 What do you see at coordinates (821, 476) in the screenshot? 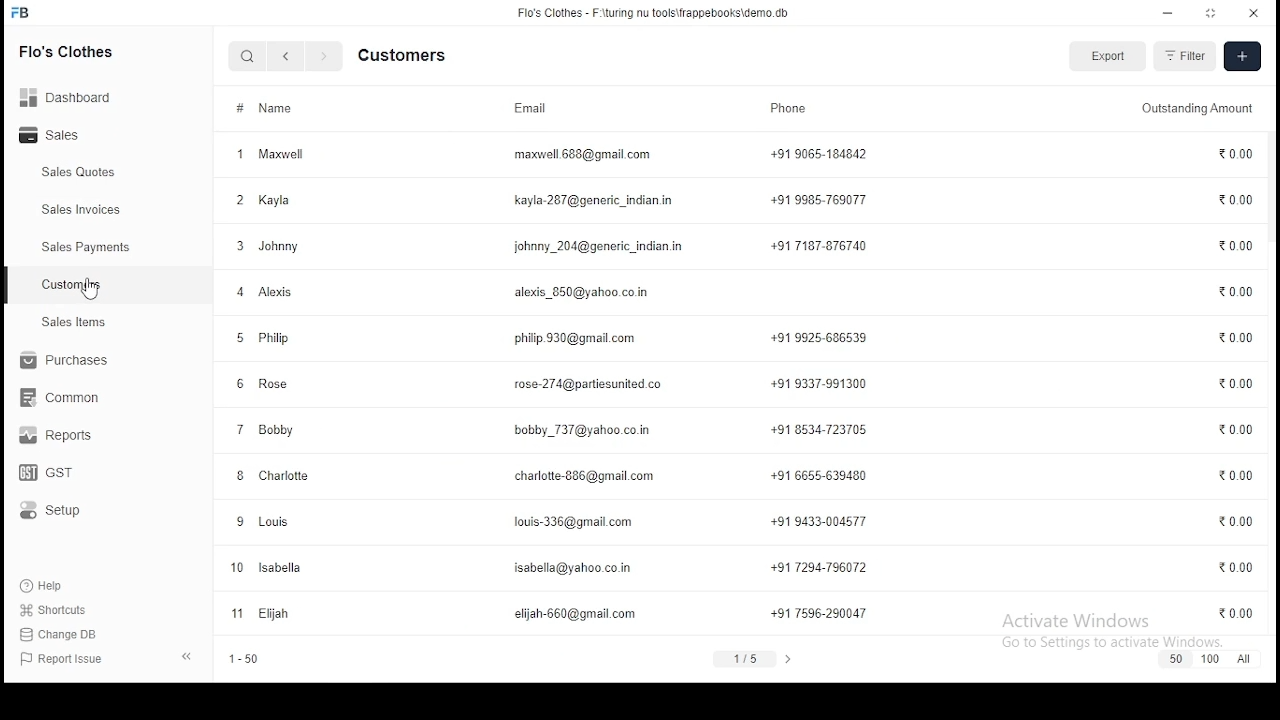
I see `+91 6656-639480` at bounding box center [821, 476].